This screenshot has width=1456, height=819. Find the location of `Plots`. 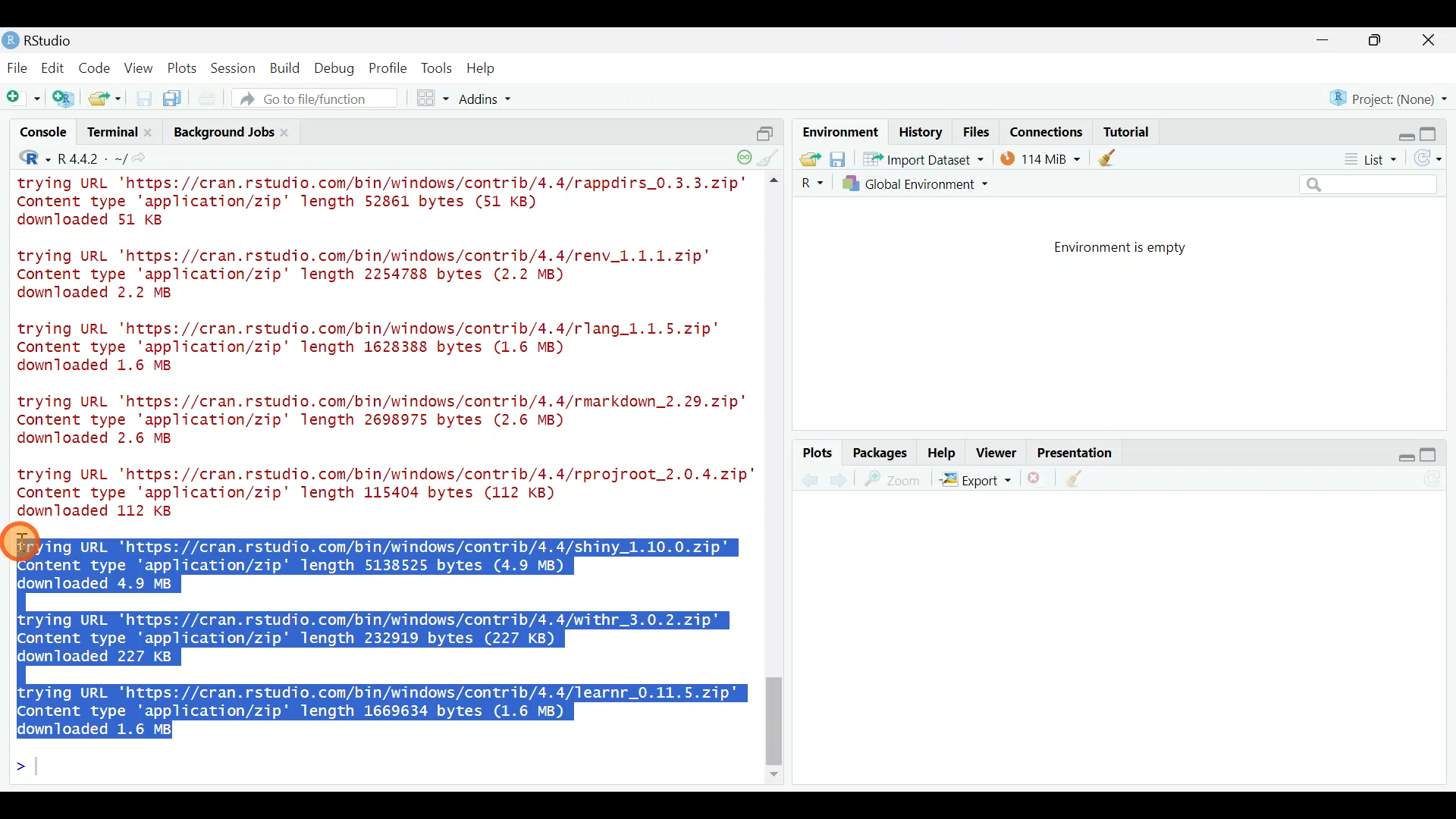

Plots is located at coordinates (818, 453).